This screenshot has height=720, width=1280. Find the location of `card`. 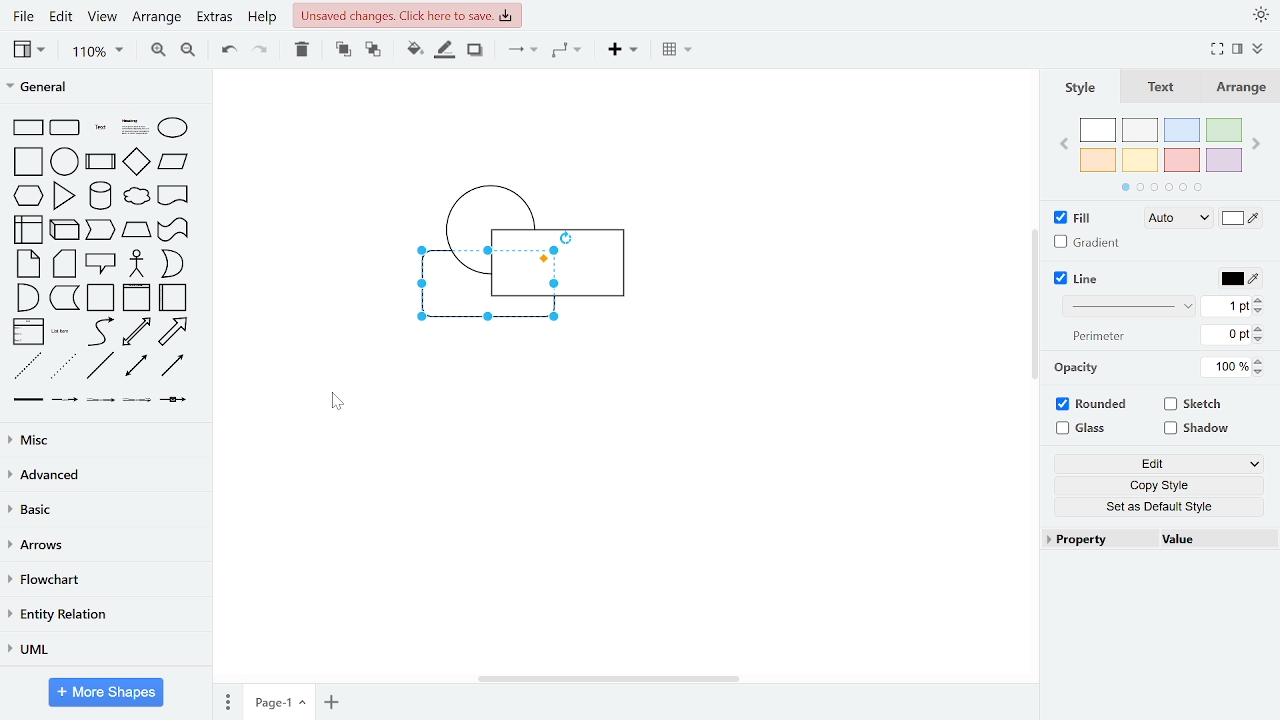

card is located at coordinates (66, 263).